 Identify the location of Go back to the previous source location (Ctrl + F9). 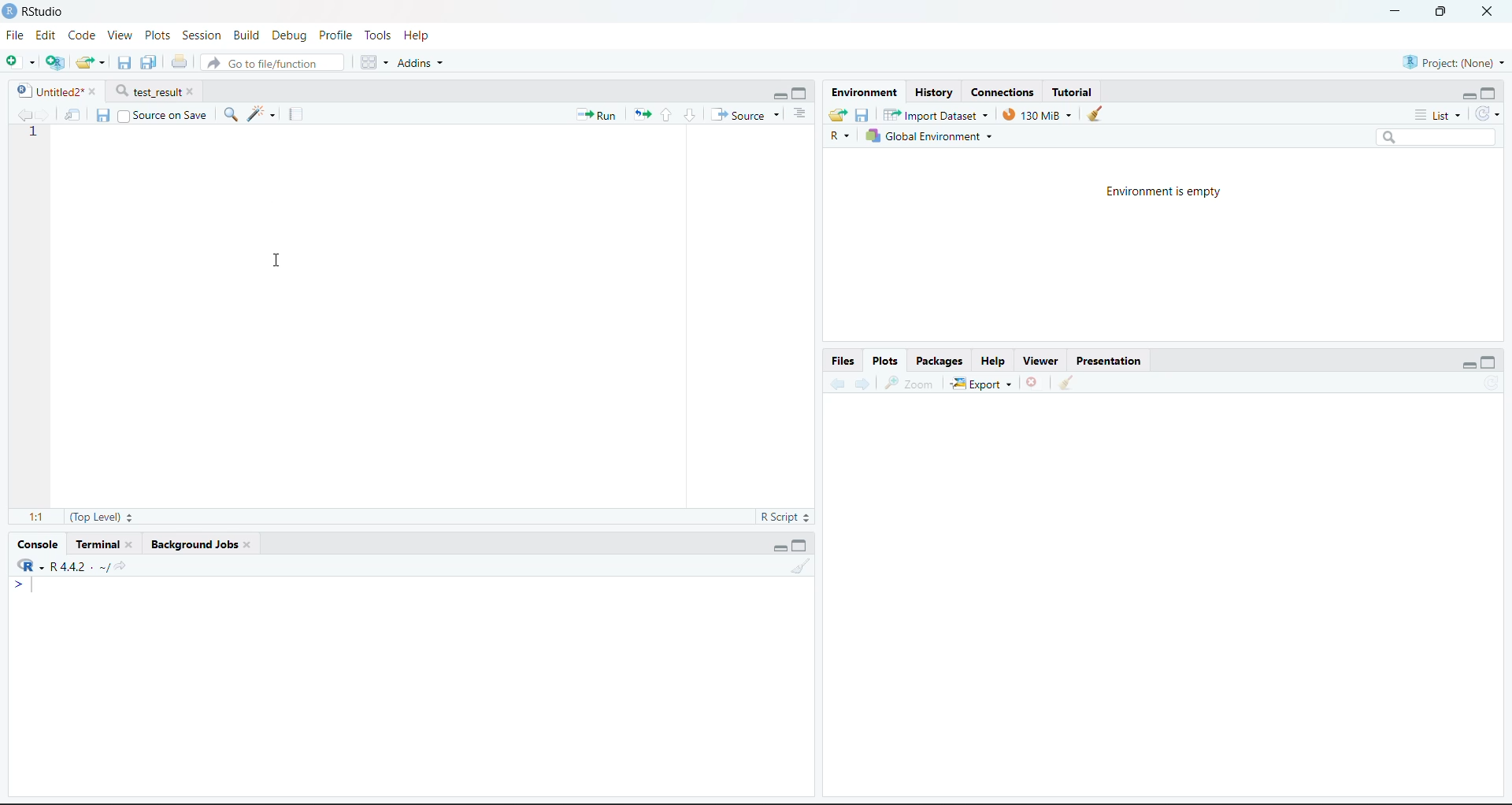
(20, 113).